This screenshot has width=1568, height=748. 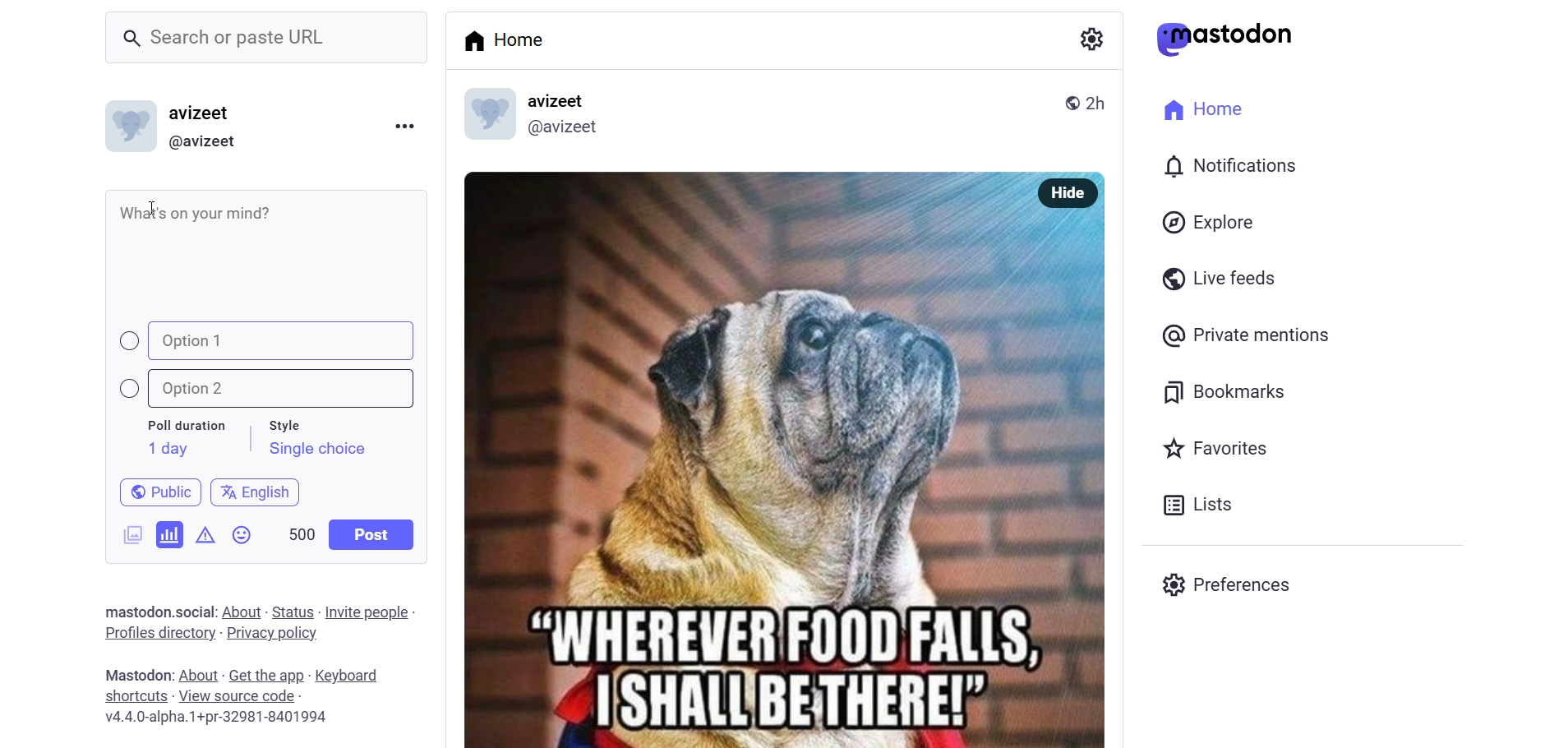 I want to click on notification, so click(x=1228, y=168).